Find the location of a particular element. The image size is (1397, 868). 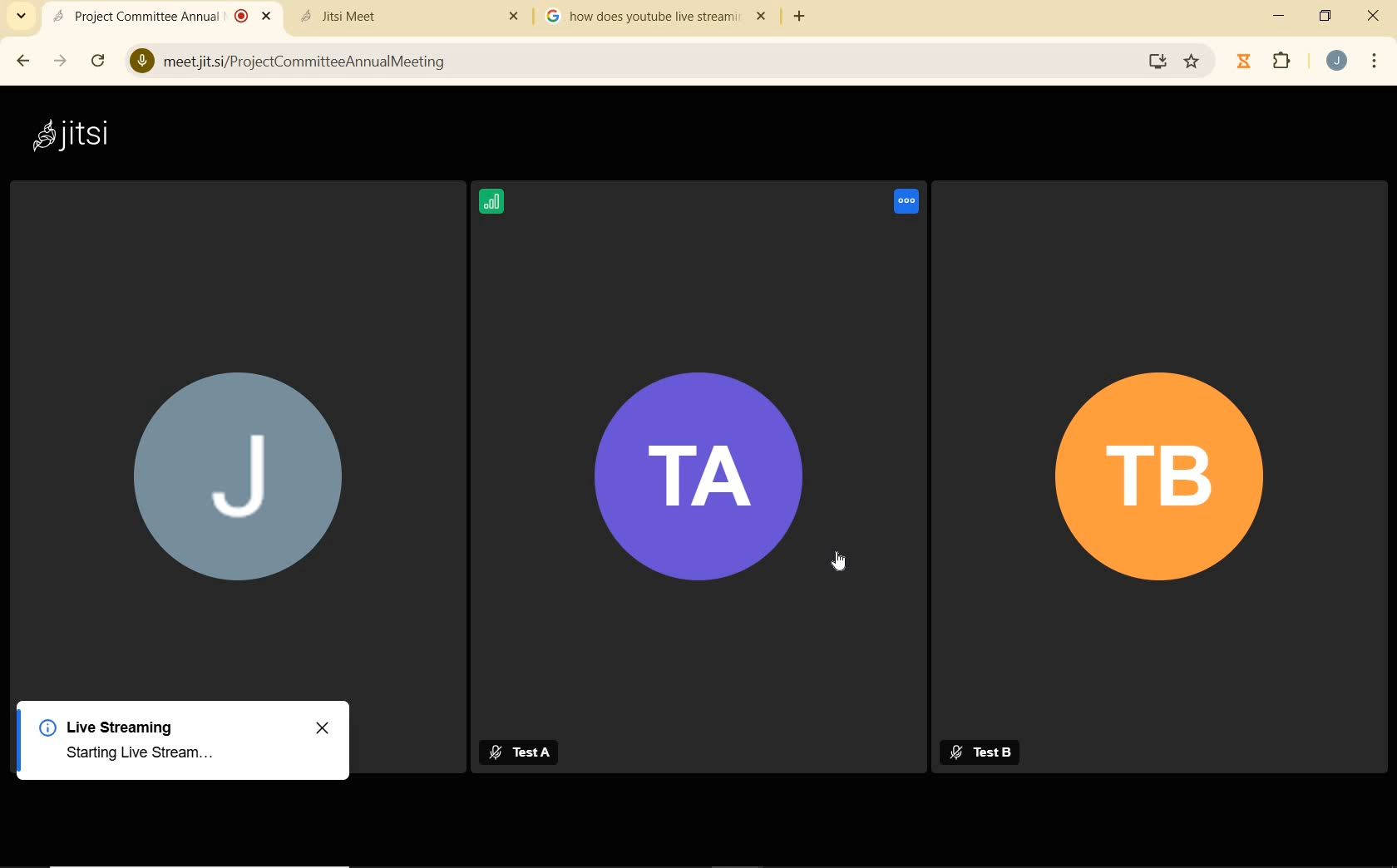

starting live stream is located at coordinates (140, 759).